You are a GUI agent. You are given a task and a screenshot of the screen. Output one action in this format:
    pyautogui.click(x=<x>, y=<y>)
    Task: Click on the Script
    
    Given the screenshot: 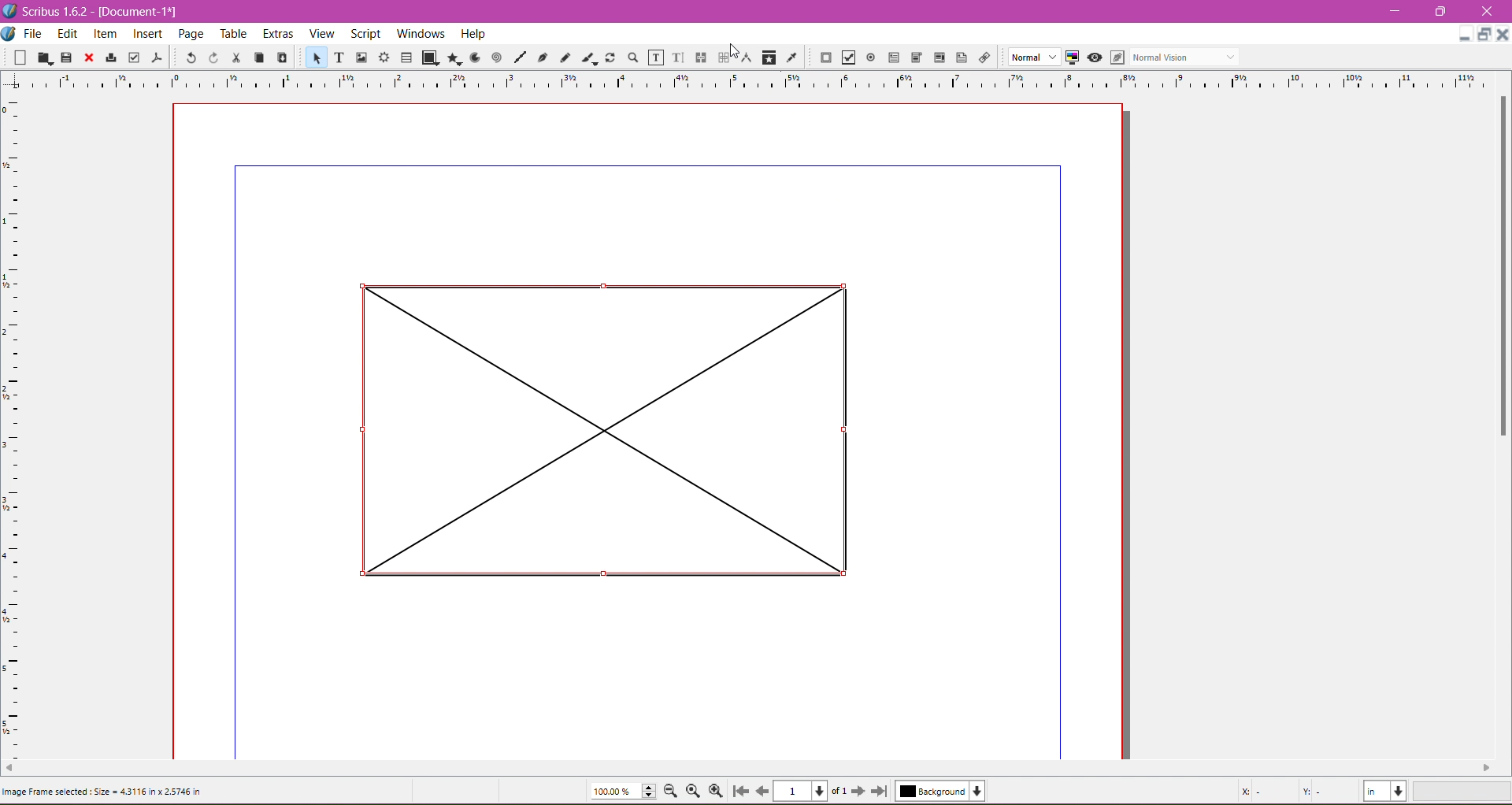 What is the action you would take?
    pyautogui.click(x=365, y=33)
    